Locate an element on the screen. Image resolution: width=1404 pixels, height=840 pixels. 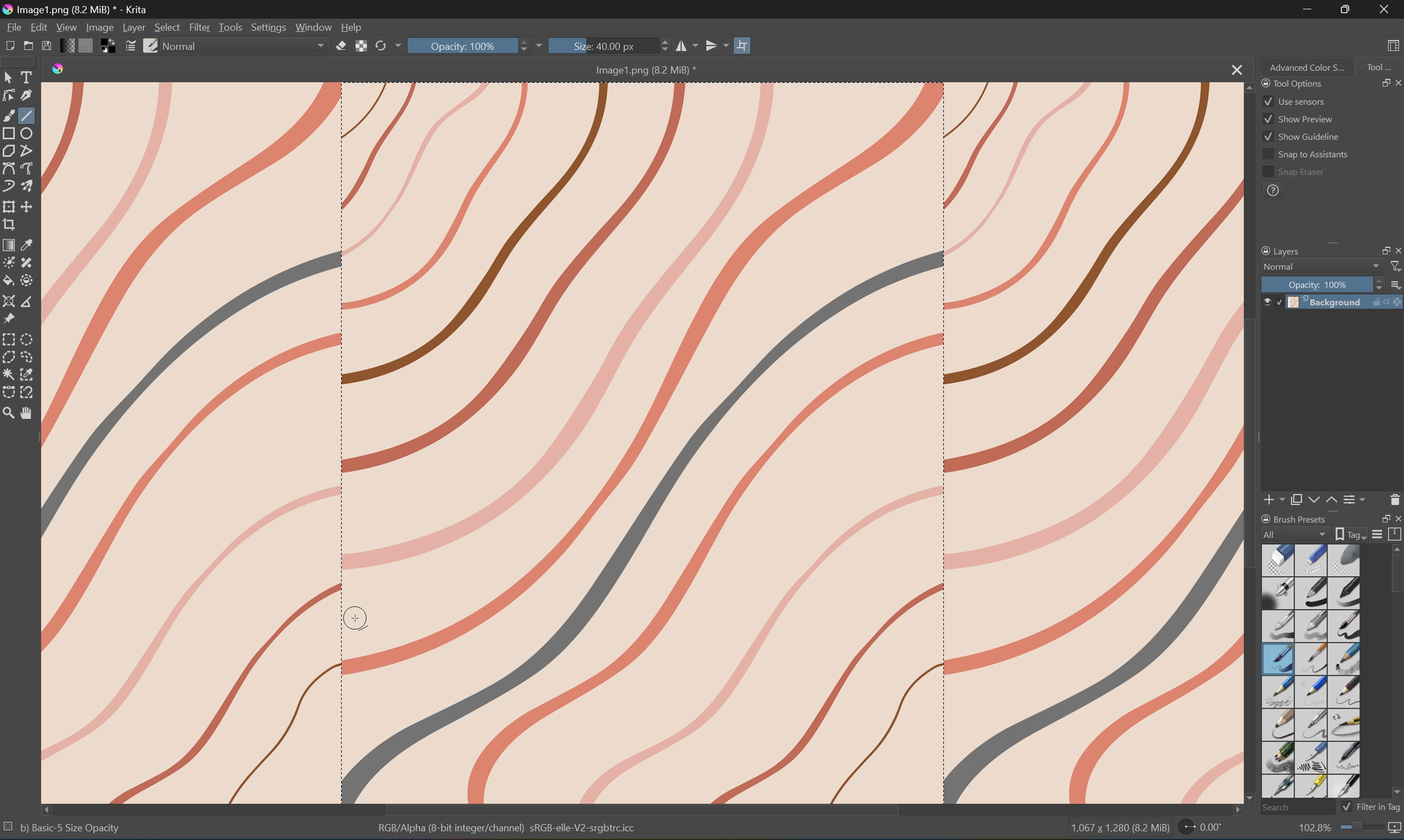
Restore Down is located at coordinates (1349, 9).